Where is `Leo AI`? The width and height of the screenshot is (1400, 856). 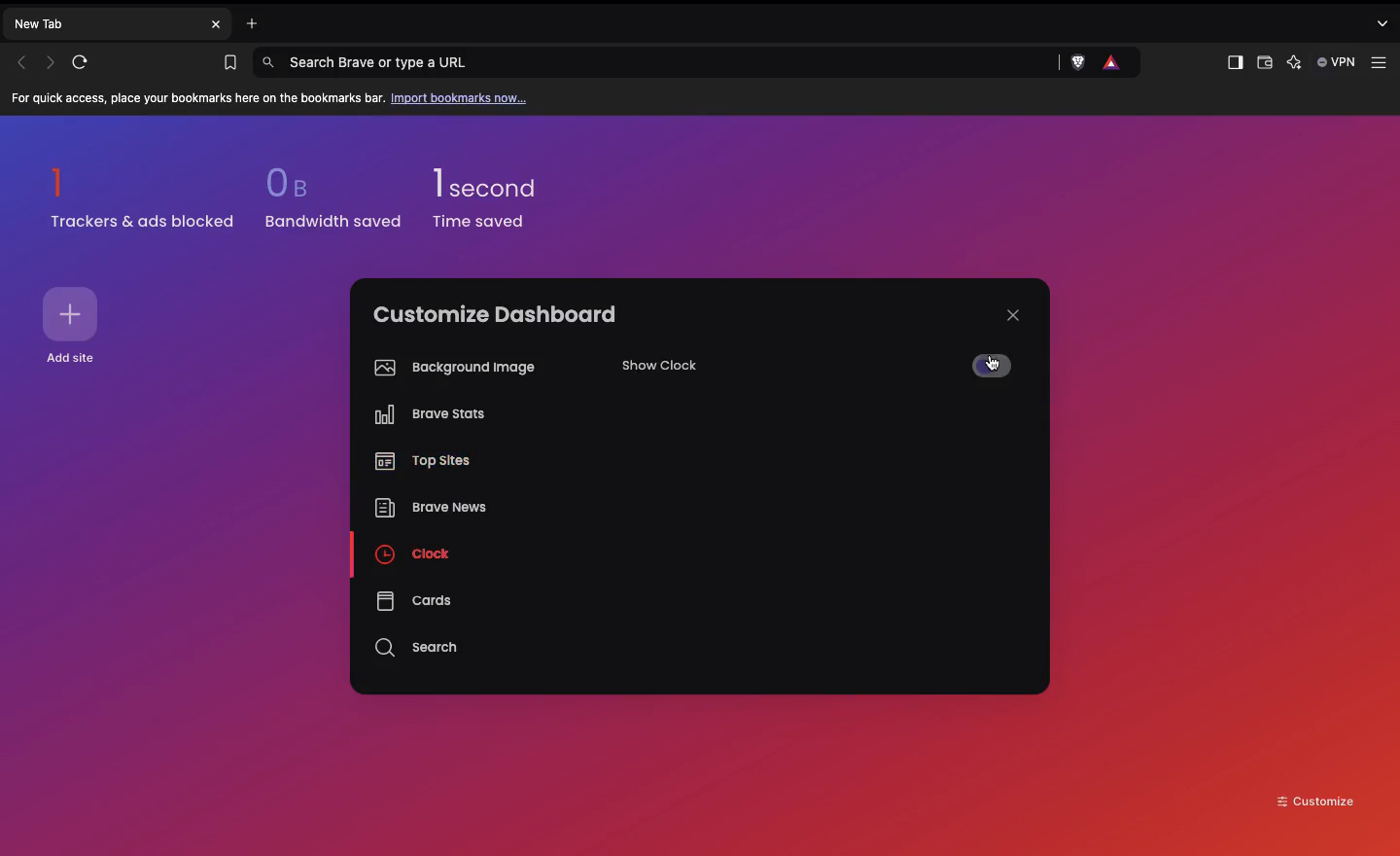
Leo AI is located at coordinates (1293, 64).